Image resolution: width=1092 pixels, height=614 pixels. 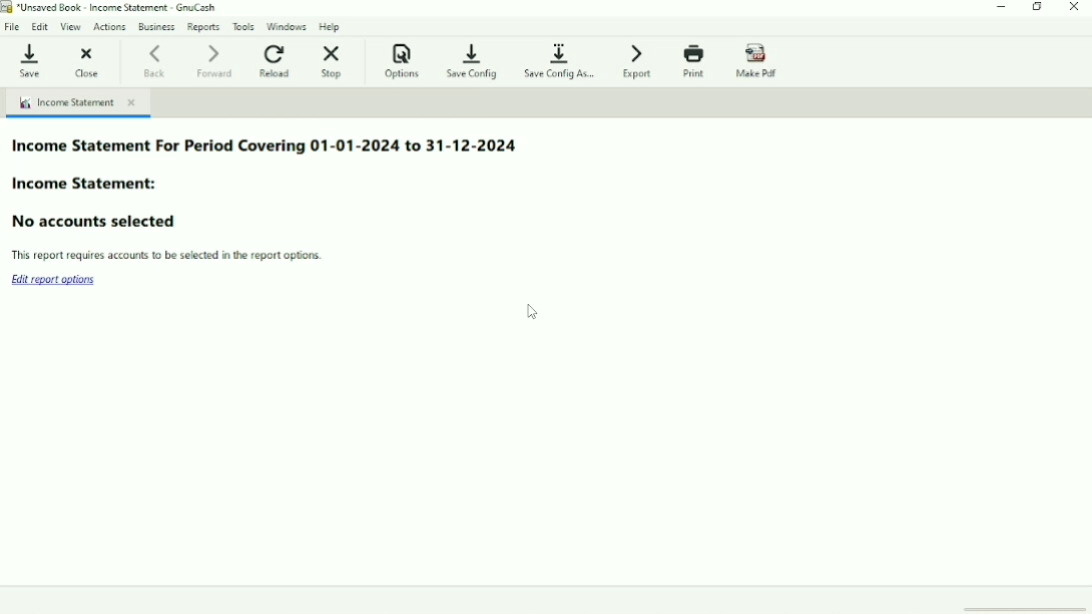 What do you see at coordinates (288, 25) in the screenshot?
I see `Windows` at bounding box center [288, 25].